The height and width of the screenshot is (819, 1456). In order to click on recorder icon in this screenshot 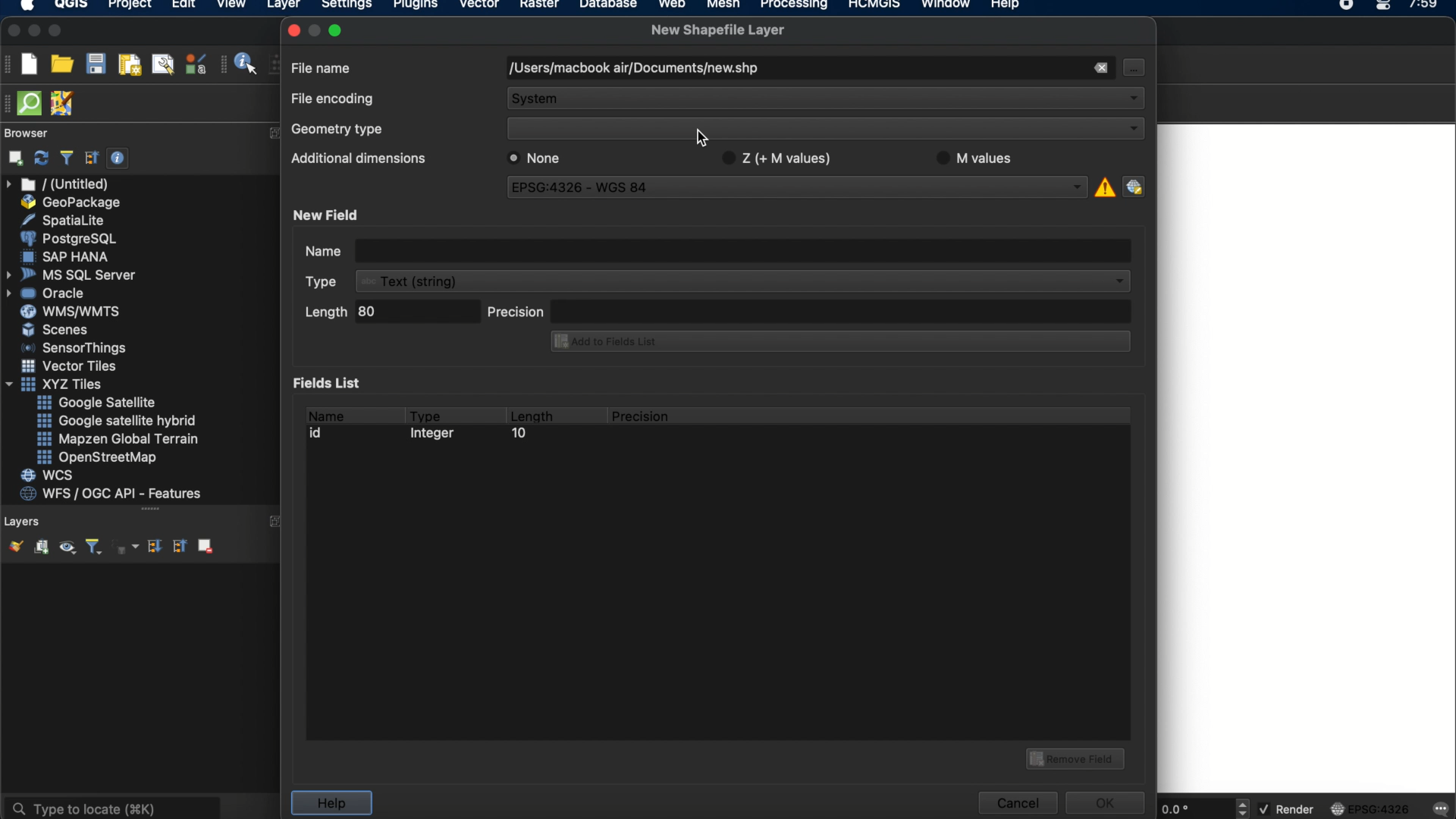, I will do `click(1348, 6)`.